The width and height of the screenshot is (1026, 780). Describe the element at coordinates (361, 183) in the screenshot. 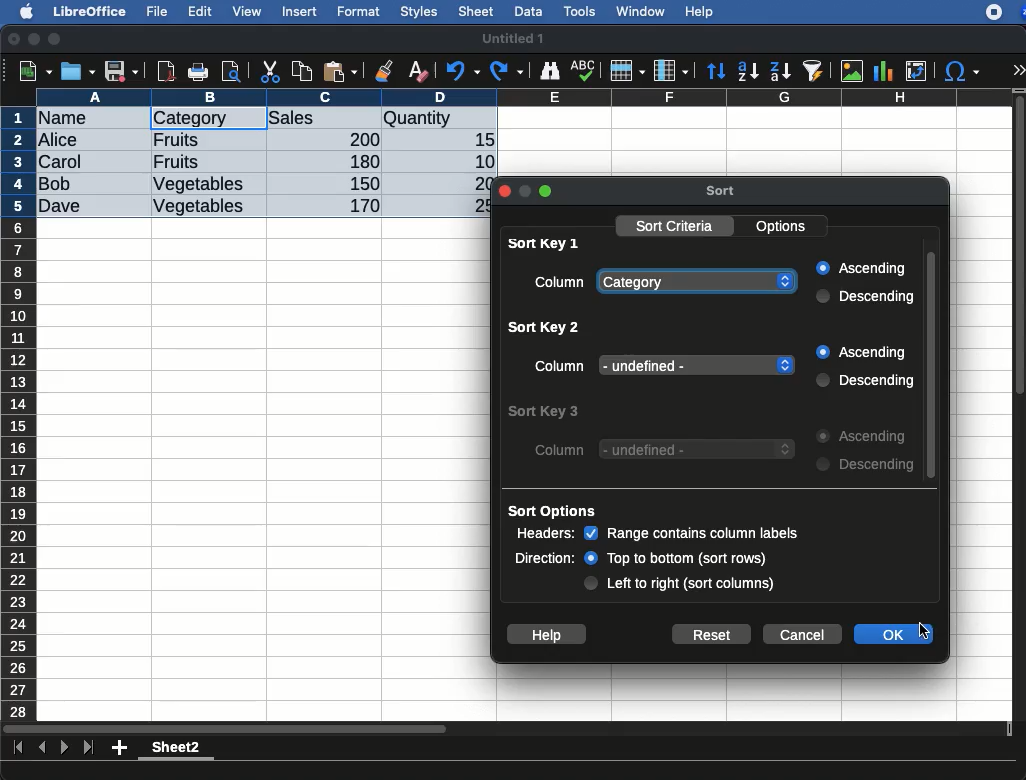

I see `150` at that location.